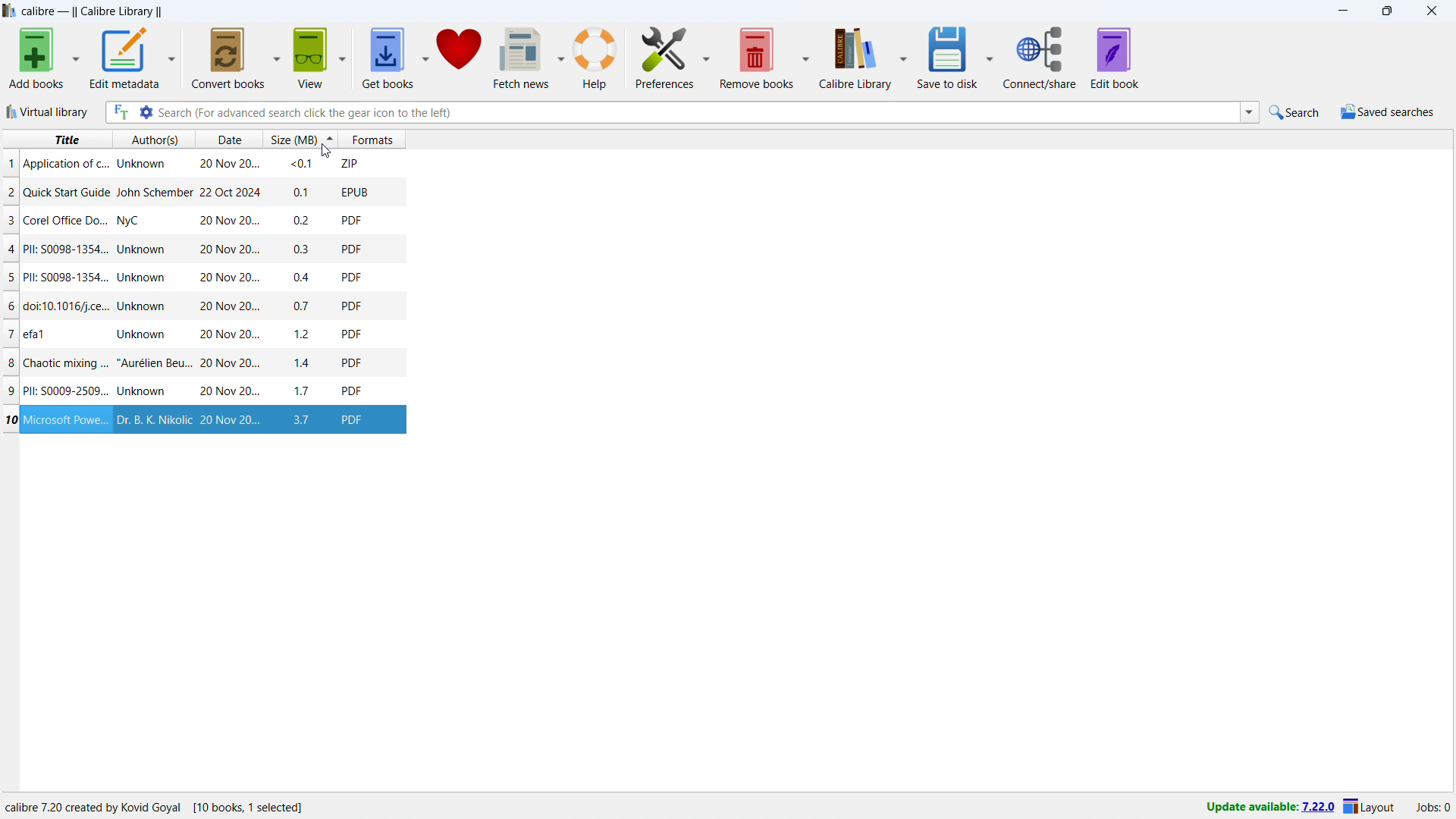  Describe the element at coordinates (9, 220) in the screenshot. I see `3` at that location.